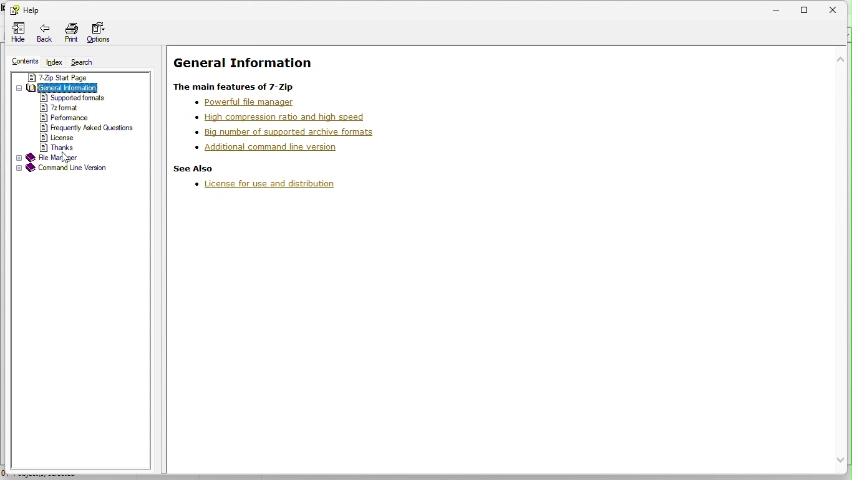  What do you see at coordinates (72, 97) in the screenshot?
I see `supported formats` at bounding box center [72, 97].